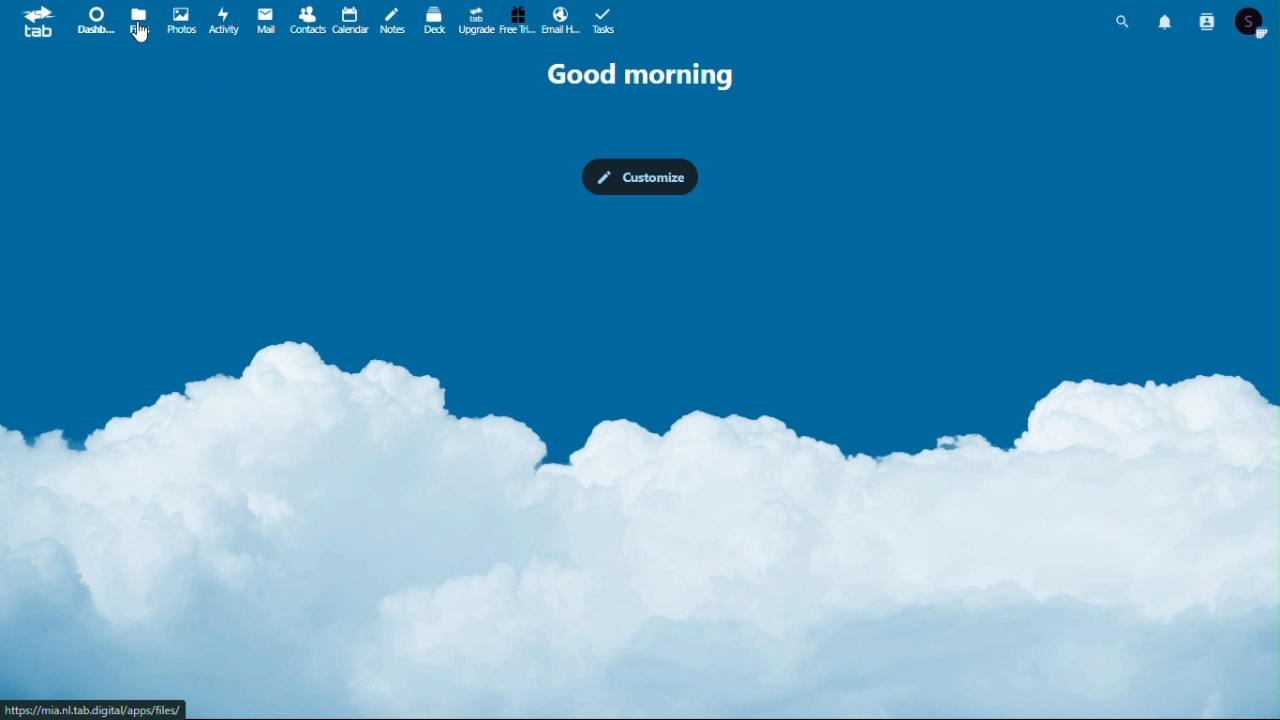 Image resolution: width=1280 pixels, height=720 pixels. Describe the element at coordinates (639, 78) in the screenshot. I see `Good morning` at that location.